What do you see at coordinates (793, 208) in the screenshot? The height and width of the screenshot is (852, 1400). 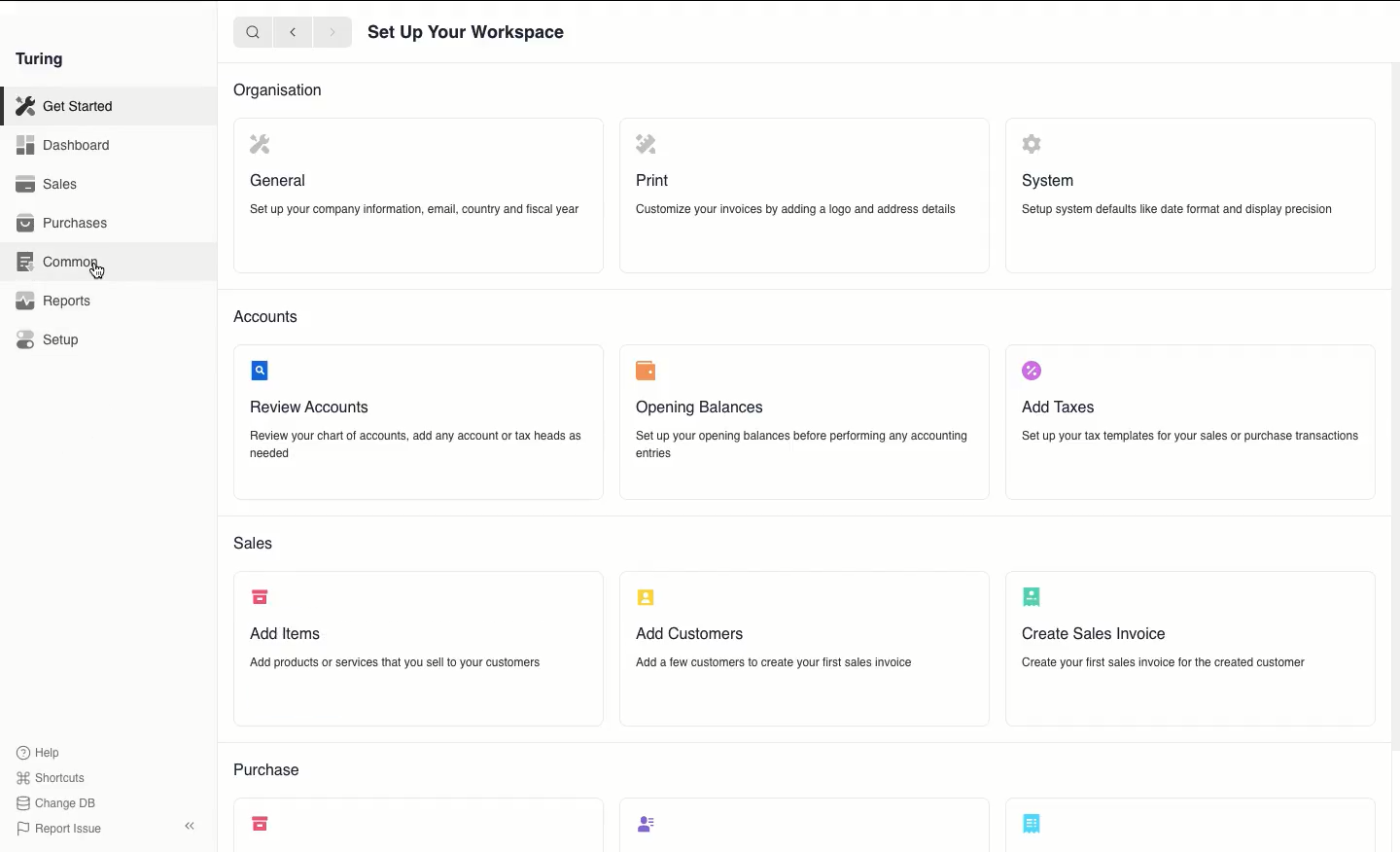 I see `‘Customize your invoices by adding a logo and address details` at bounding box center [793, 208].